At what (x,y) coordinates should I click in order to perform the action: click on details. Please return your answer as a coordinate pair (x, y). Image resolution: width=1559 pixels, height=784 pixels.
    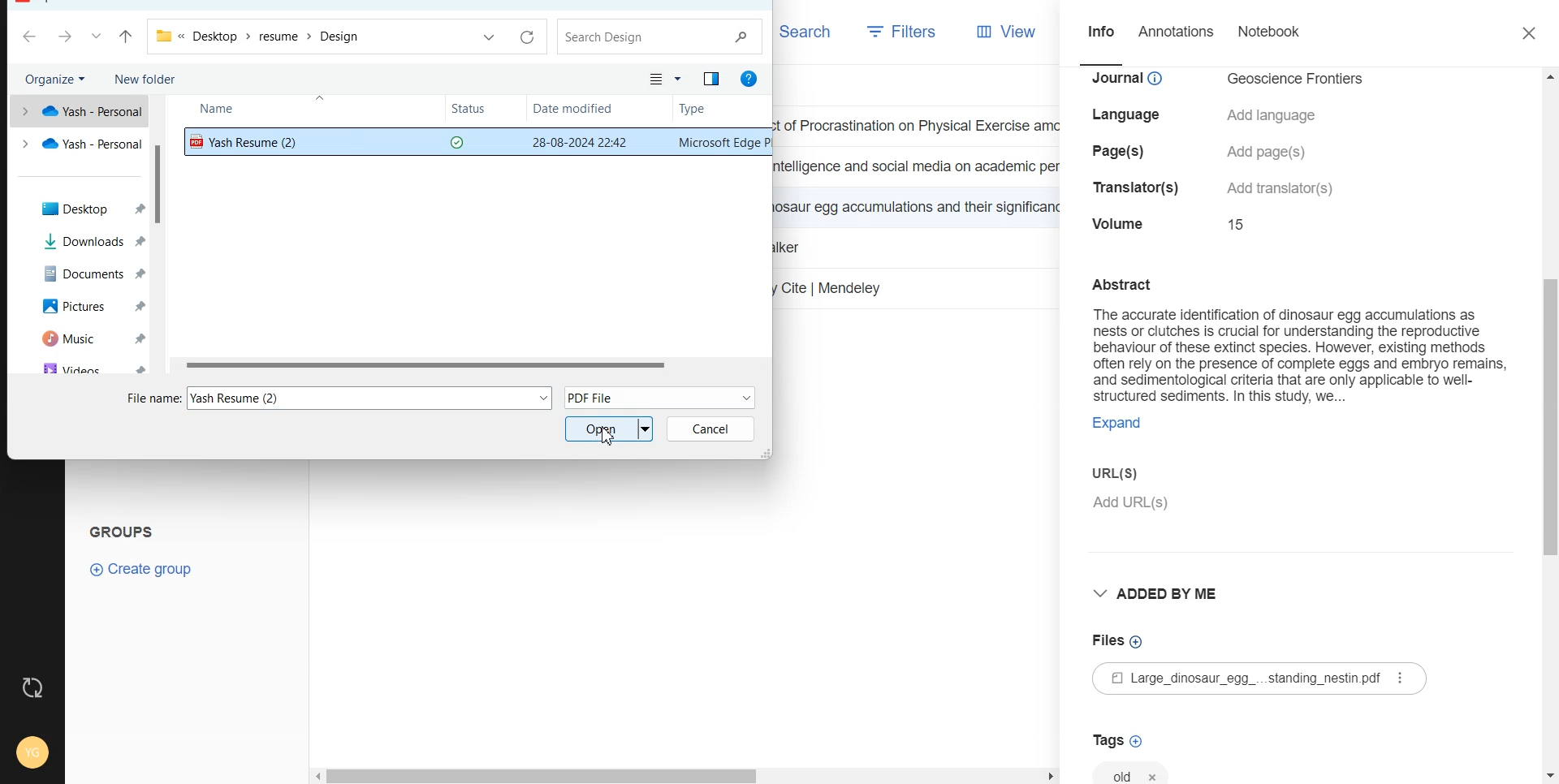
    Looking at the image, I should click on (1133, 80).